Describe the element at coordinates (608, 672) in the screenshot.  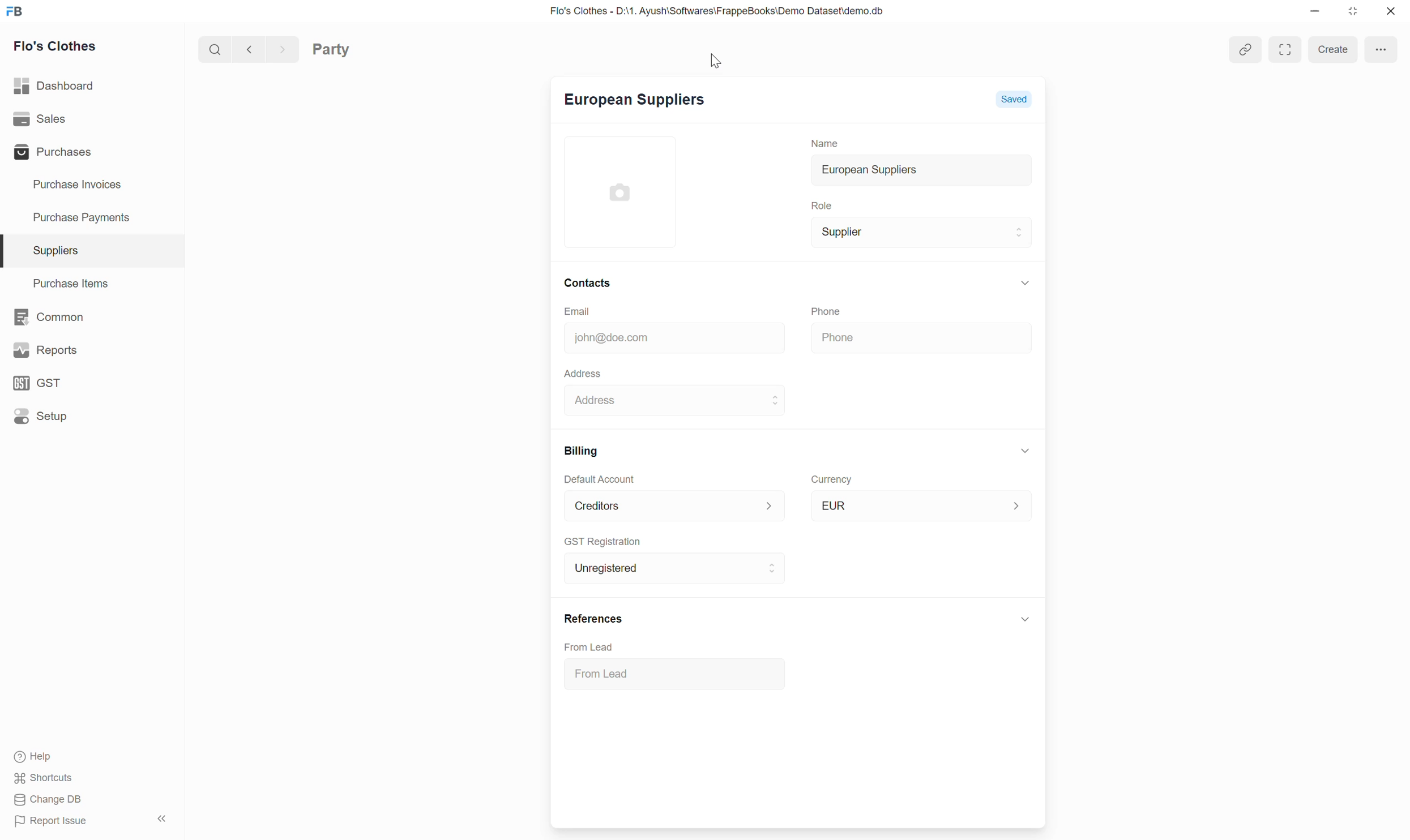
I see `From Lead` at that location.